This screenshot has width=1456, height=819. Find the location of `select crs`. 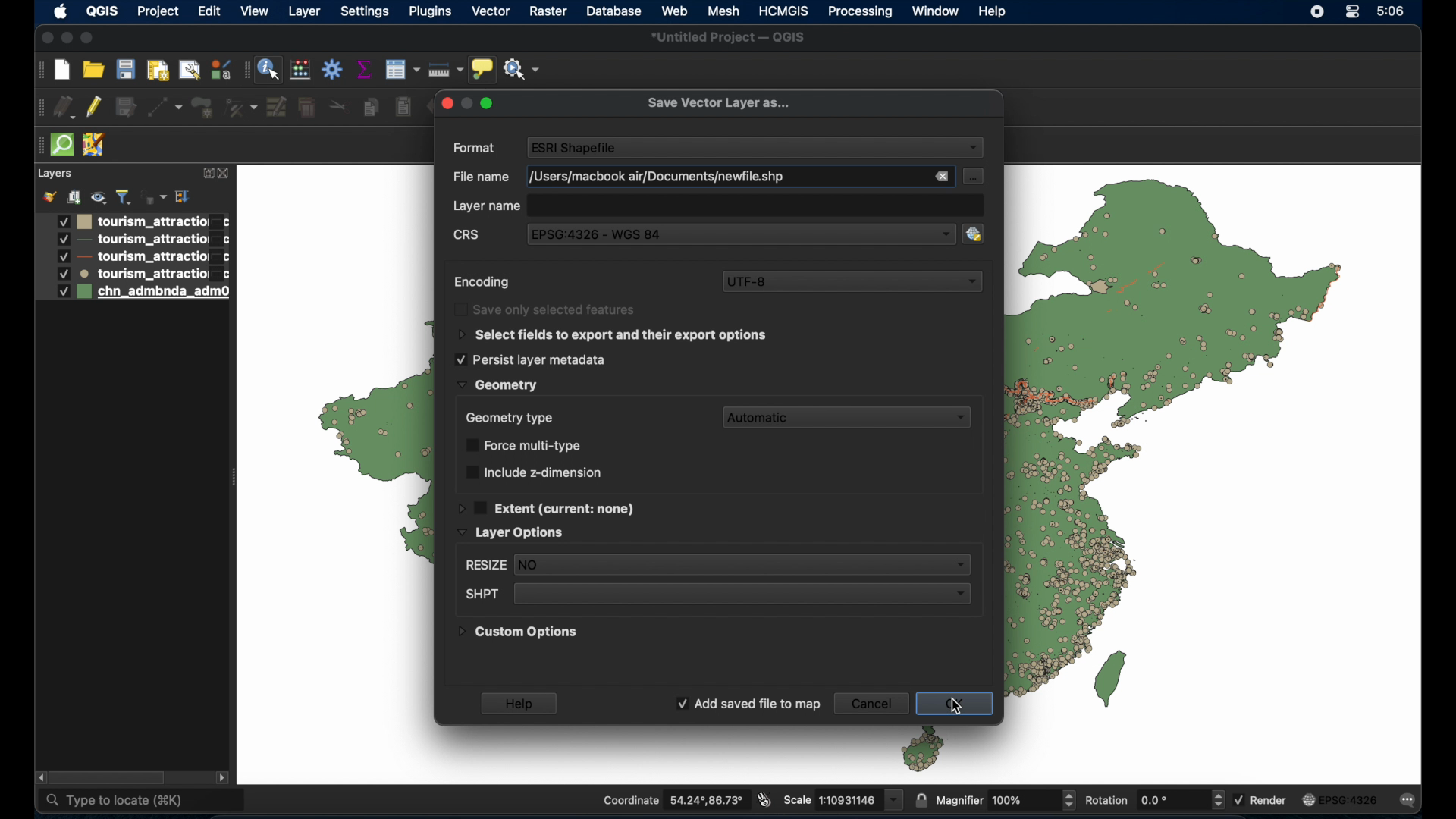

select crs is located at coordinates (981, 233).